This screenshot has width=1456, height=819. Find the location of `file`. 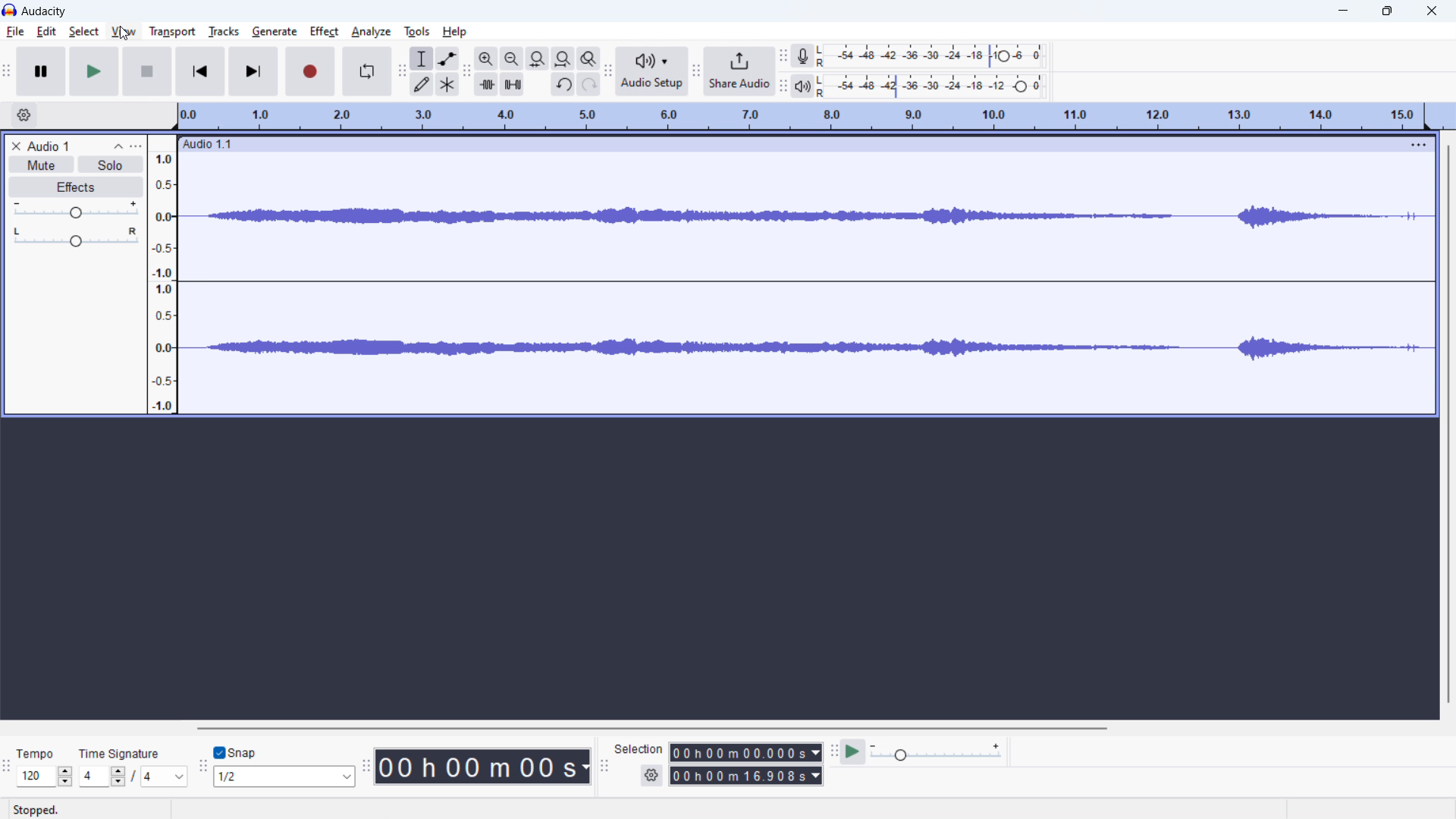

file is located at coordinates (16, 32).